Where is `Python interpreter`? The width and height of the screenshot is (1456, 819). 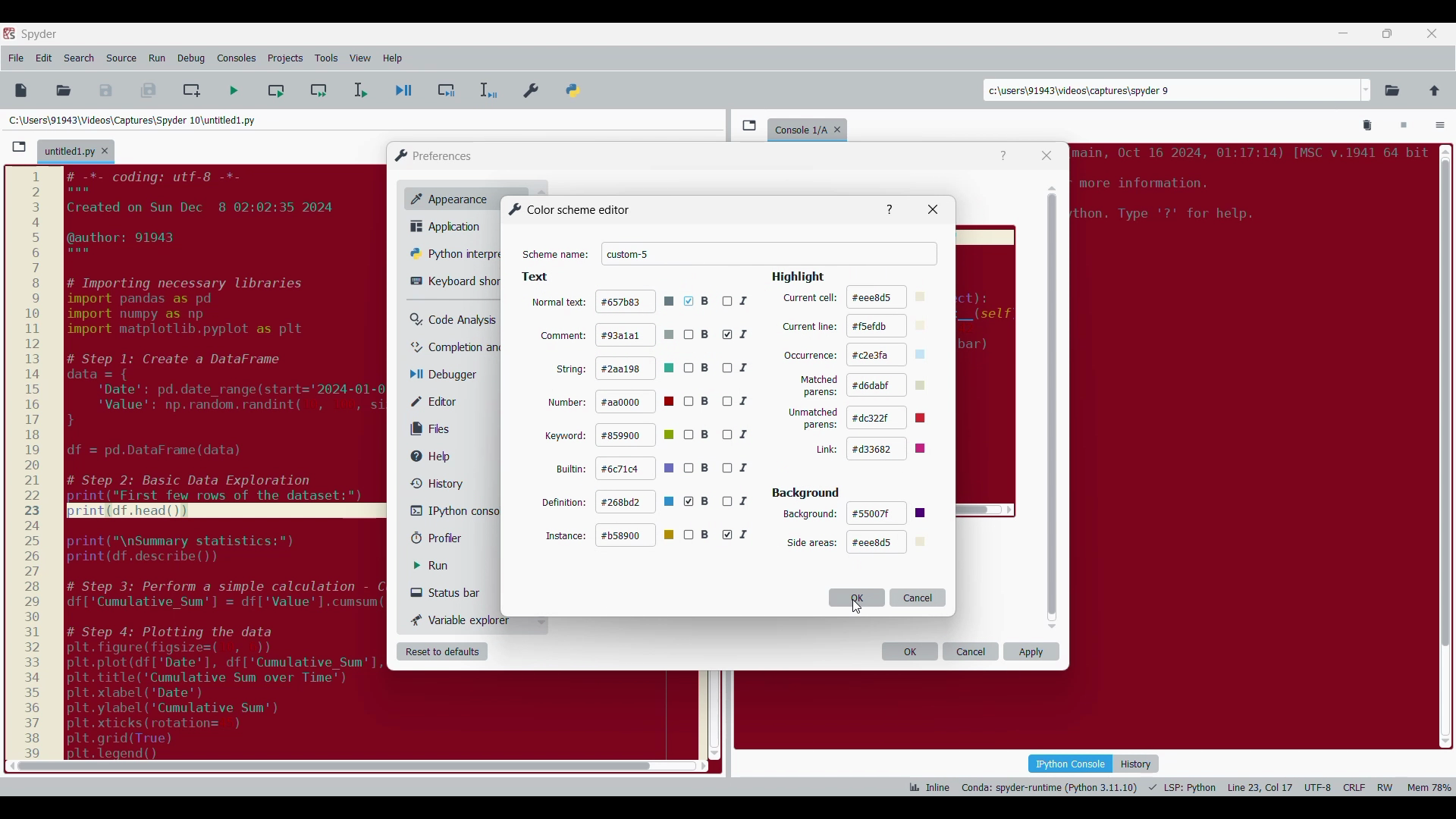 Python interpreter is located at coordinates (453, 253).